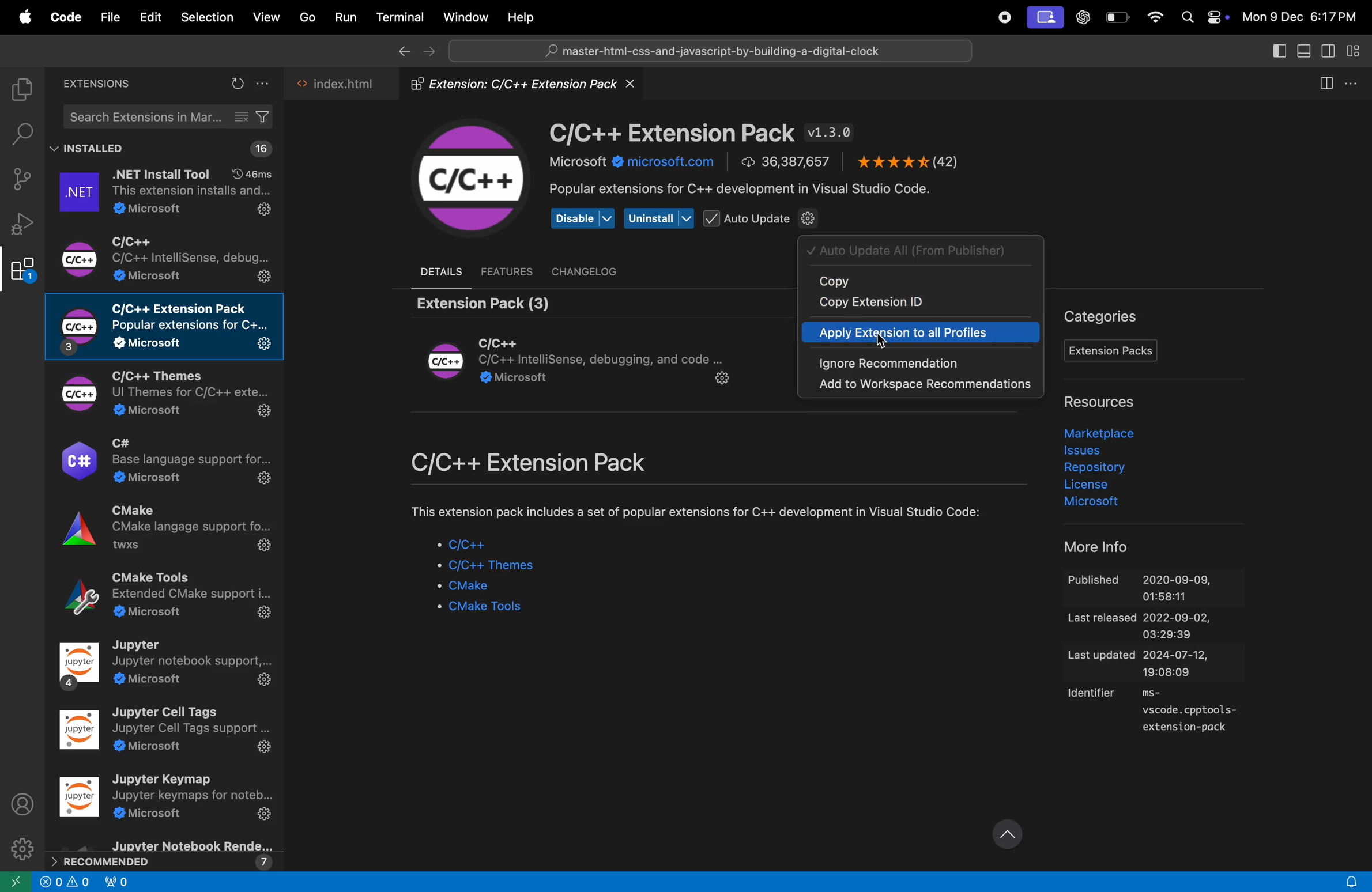 The width and height of the screenshot is (1372, 892). I want to click on Terminal, so click(398, 18).